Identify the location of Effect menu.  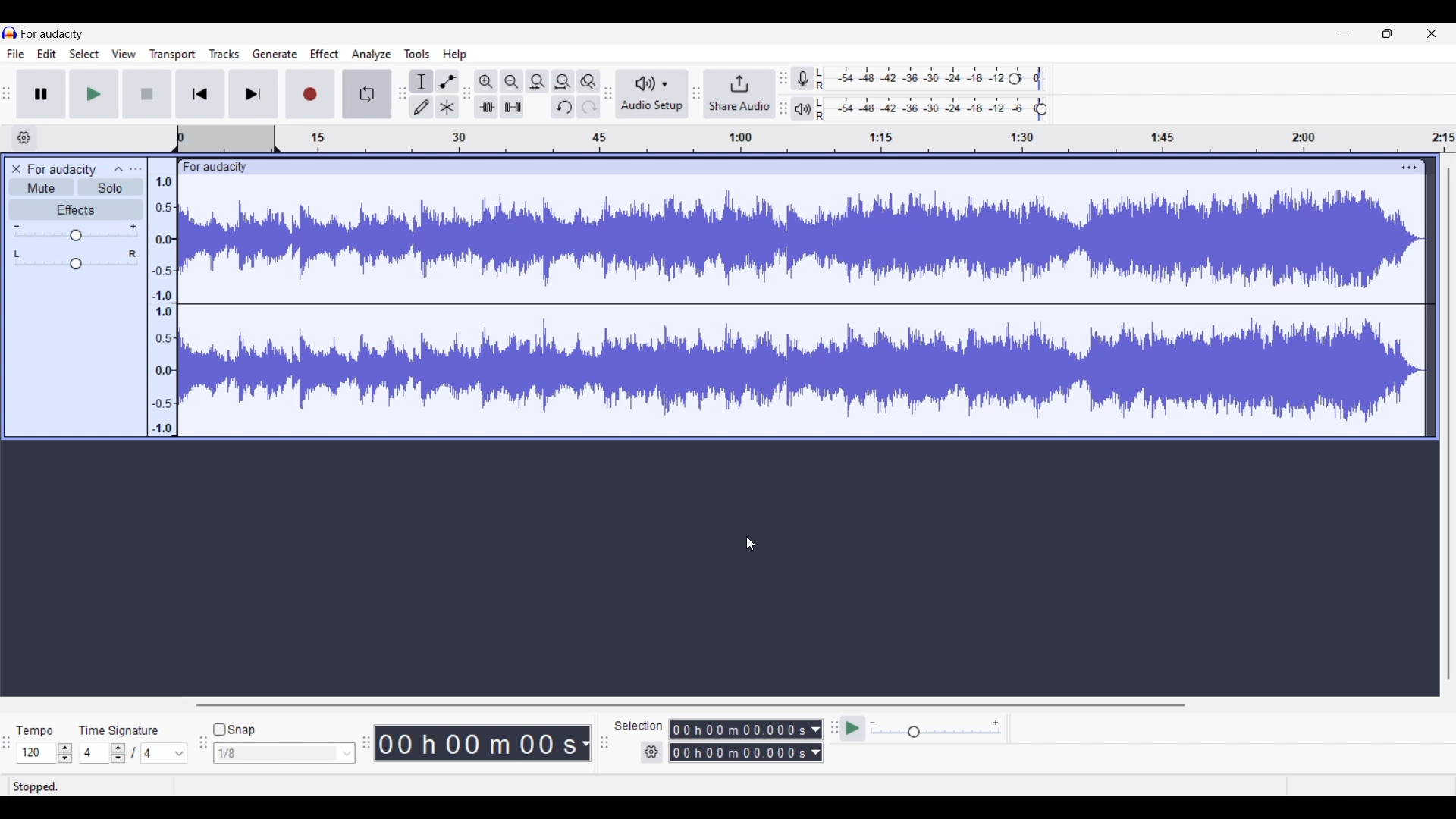
(325, 54).